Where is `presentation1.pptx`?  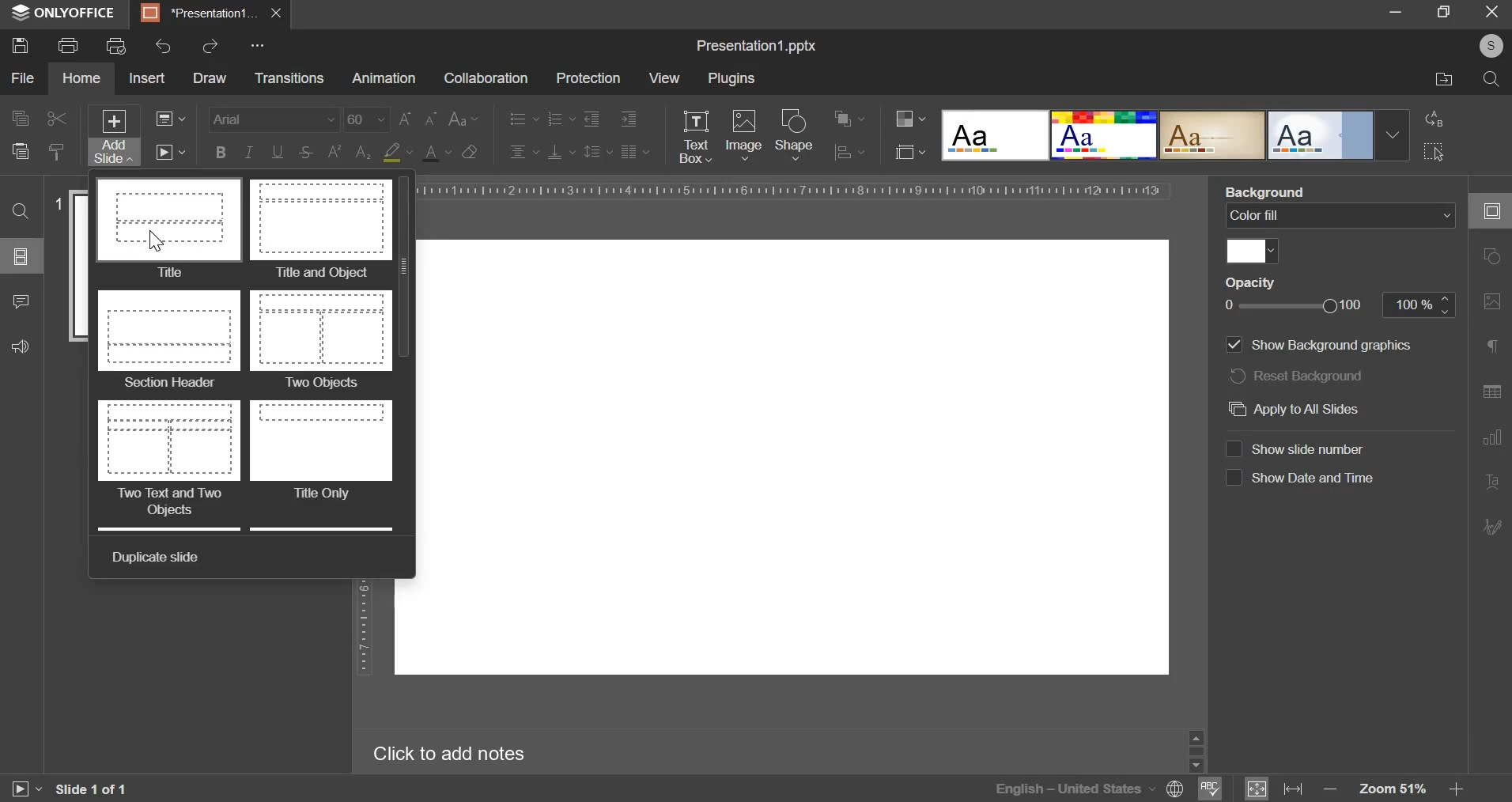 presentation1.pptx is located at coordinates (758, 43).